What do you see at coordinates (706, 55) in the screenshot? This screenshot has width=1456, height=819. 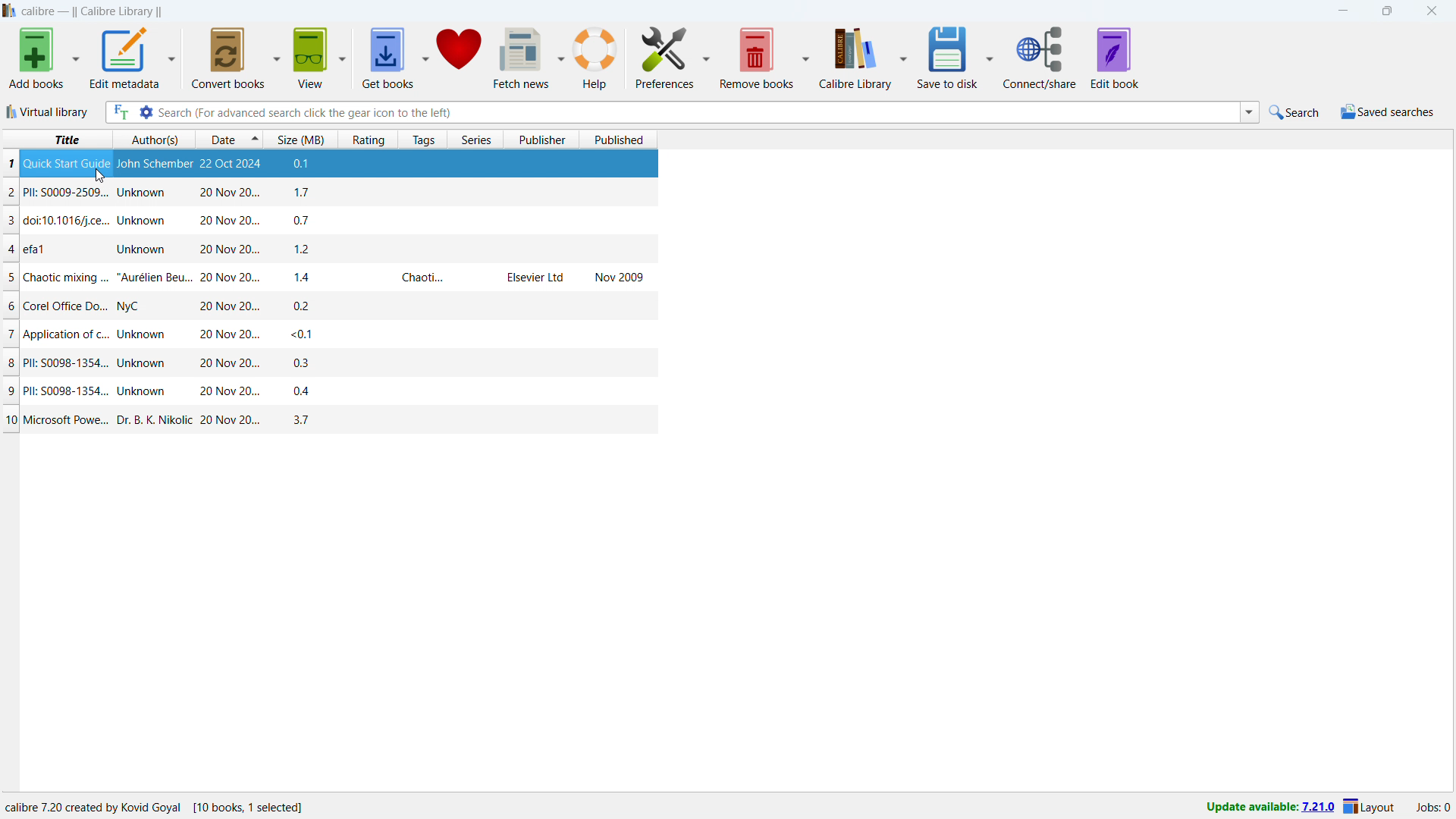 I see `preferences options` at bounding box center [706, 55].